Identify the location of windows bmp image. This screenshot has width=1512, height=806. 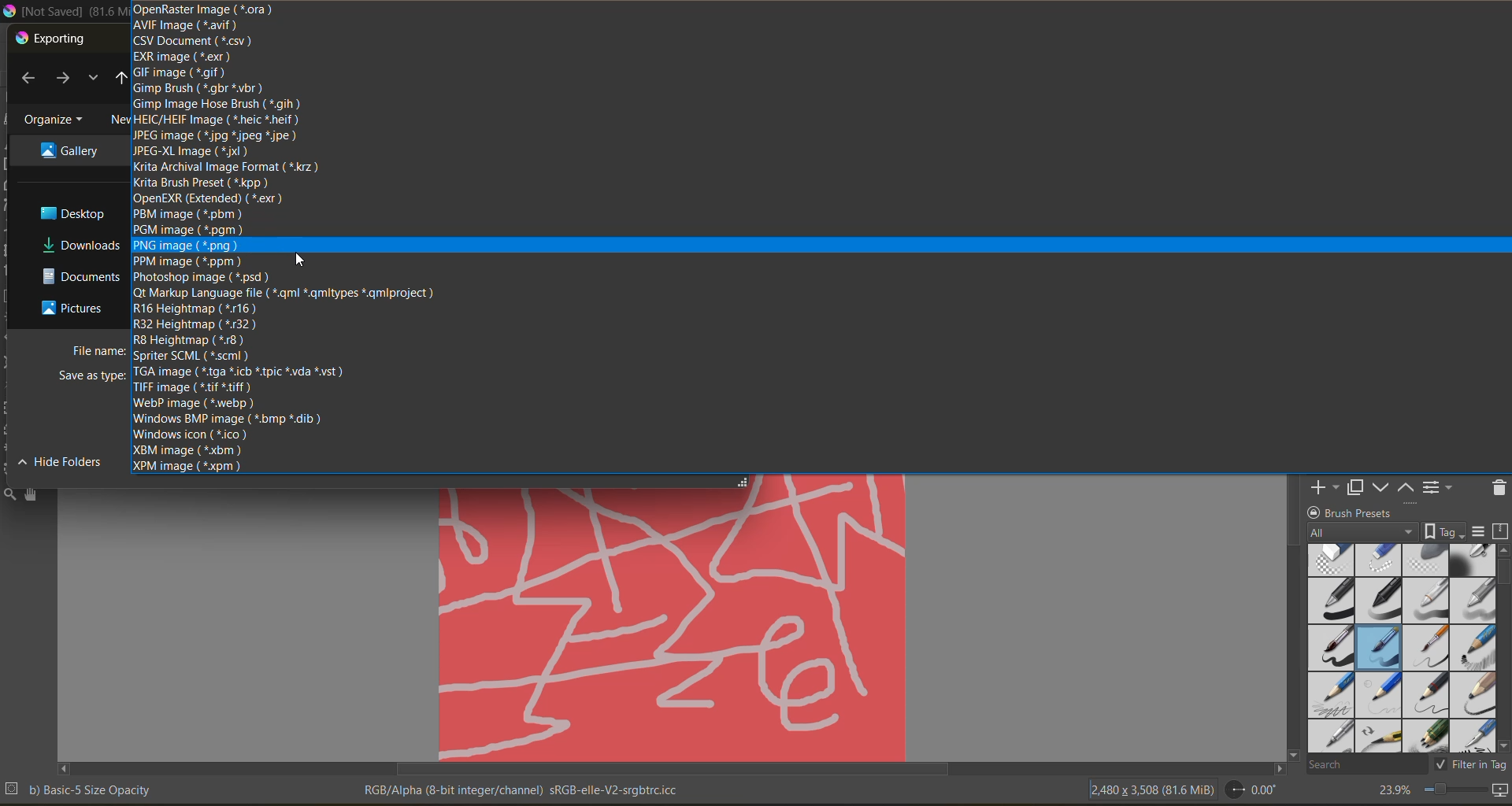
(227, 419).